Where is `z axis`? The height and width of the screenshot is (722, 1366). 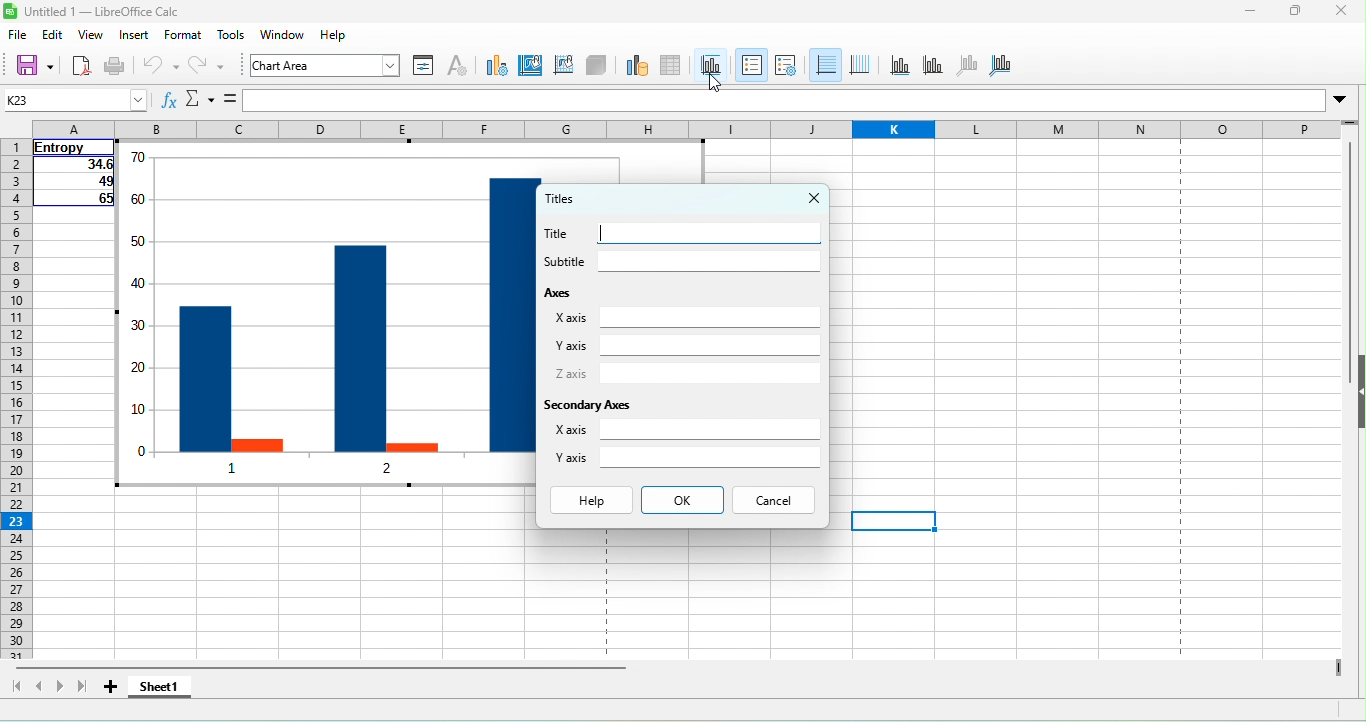 z axis is located at coordinates (972, 65).